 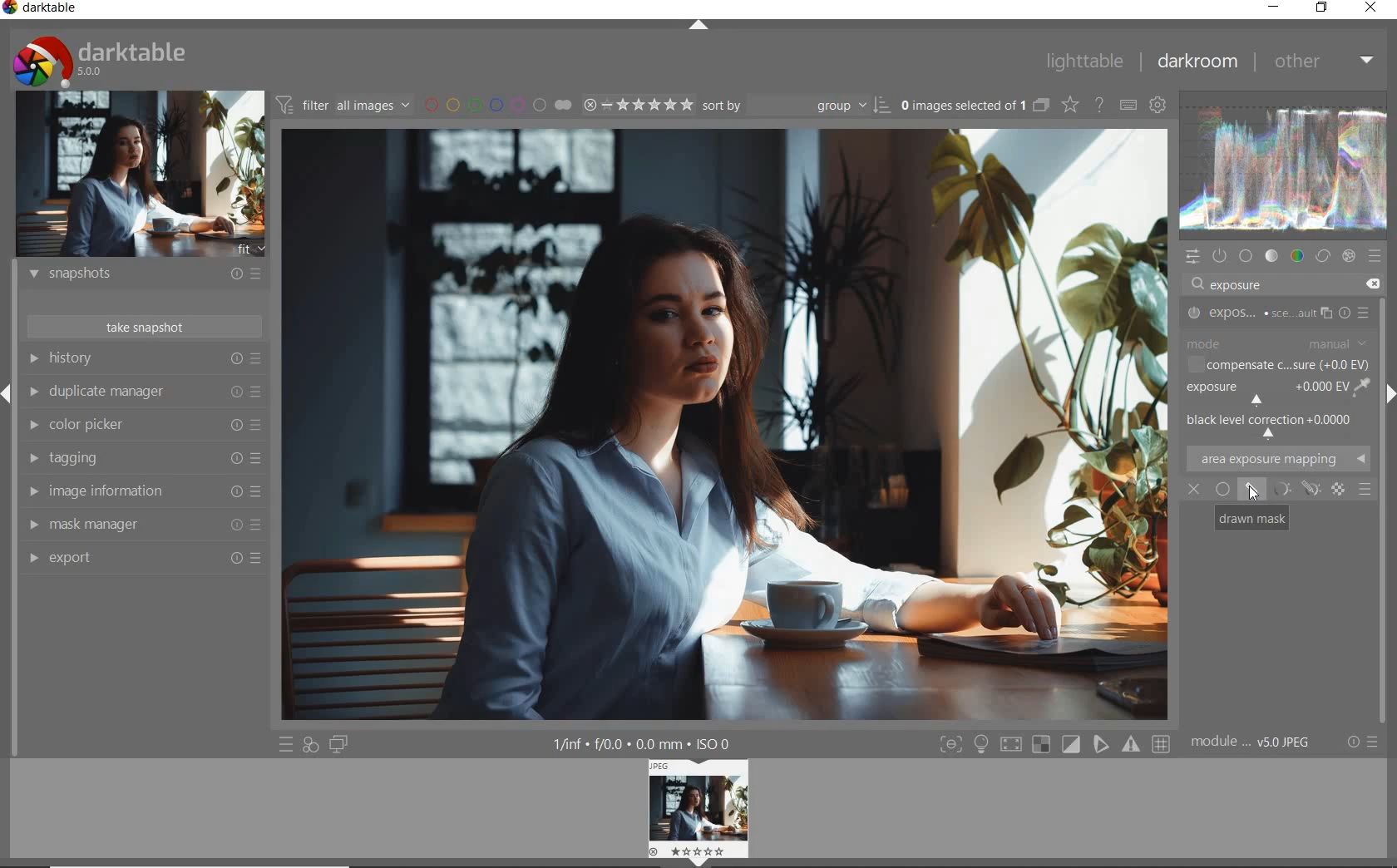 I want to click on color picker, so click(x=146, y=425).